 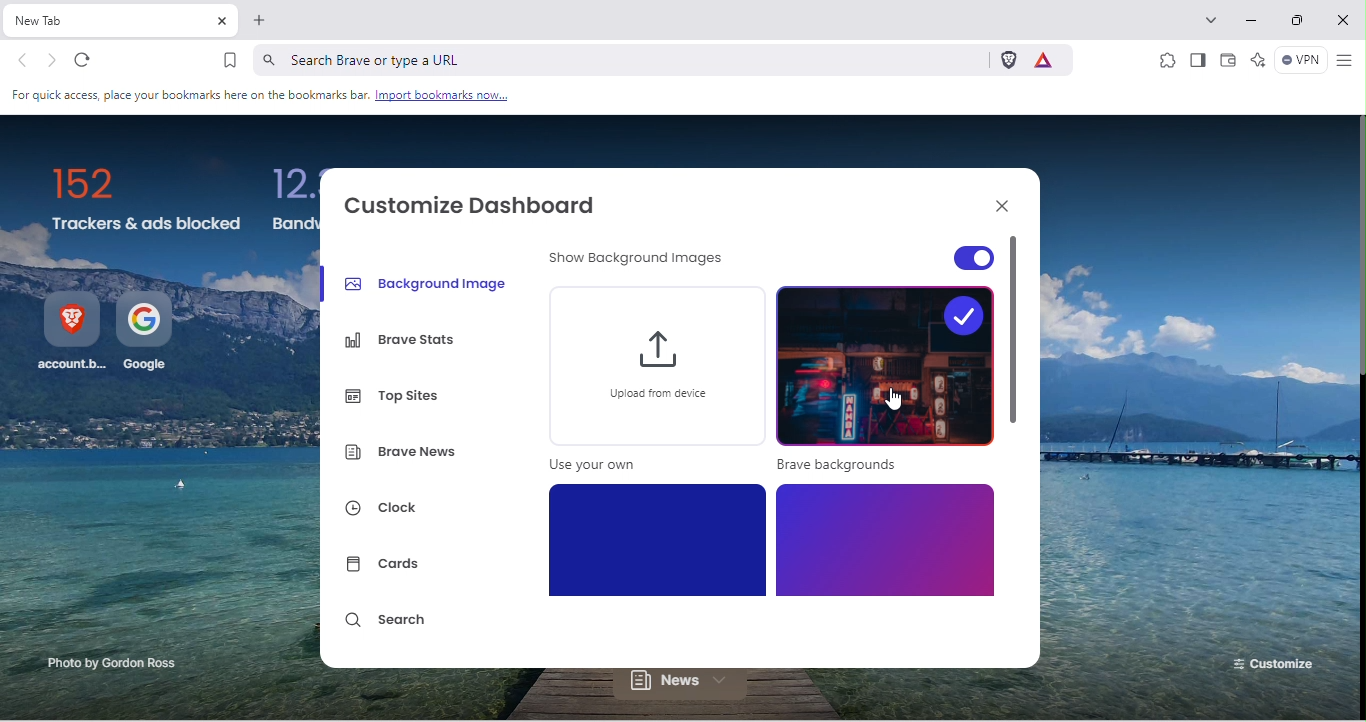 What do you see at coordinates (1049, 59) in the screenshot?
I see `Brave rewards` at bounding box center [1049, 59].